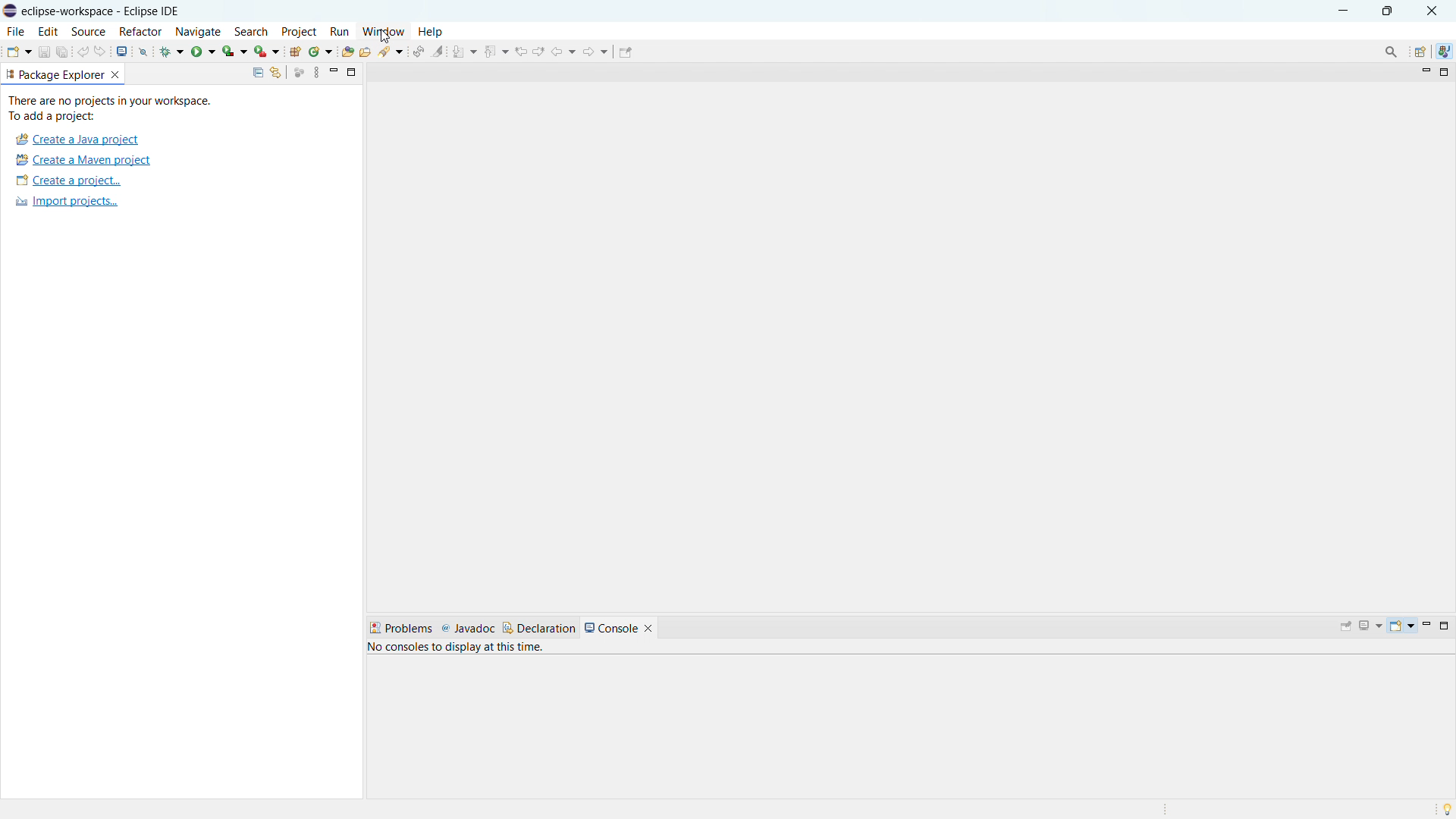 The height and width of the screenshot is (819, 1456). Describe the element at coordinates (89, 31) in the screenshot. I see `source` at that location.